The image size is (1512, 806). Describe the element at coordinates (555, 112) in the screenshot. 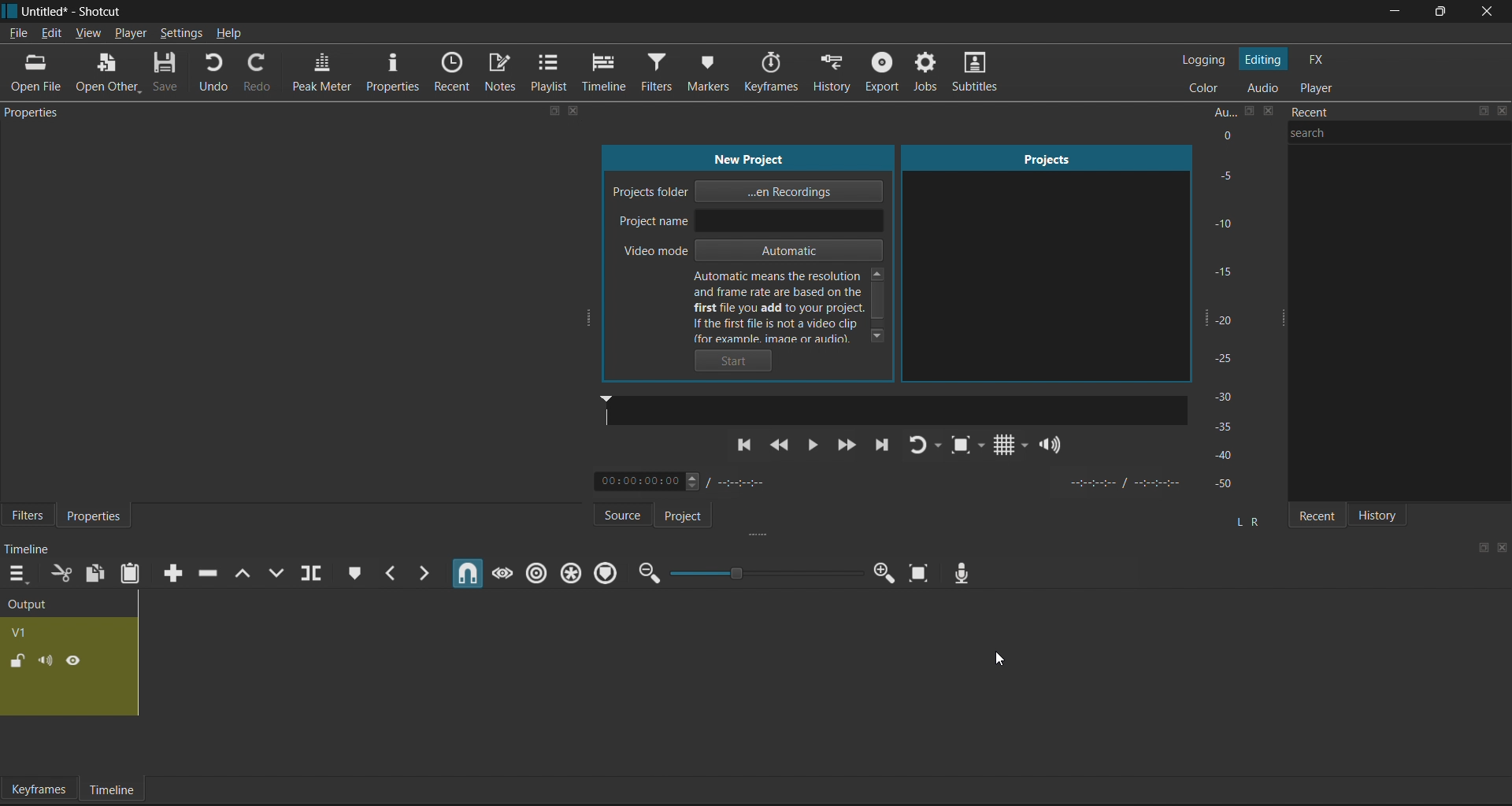

I see `maximize` at that location.